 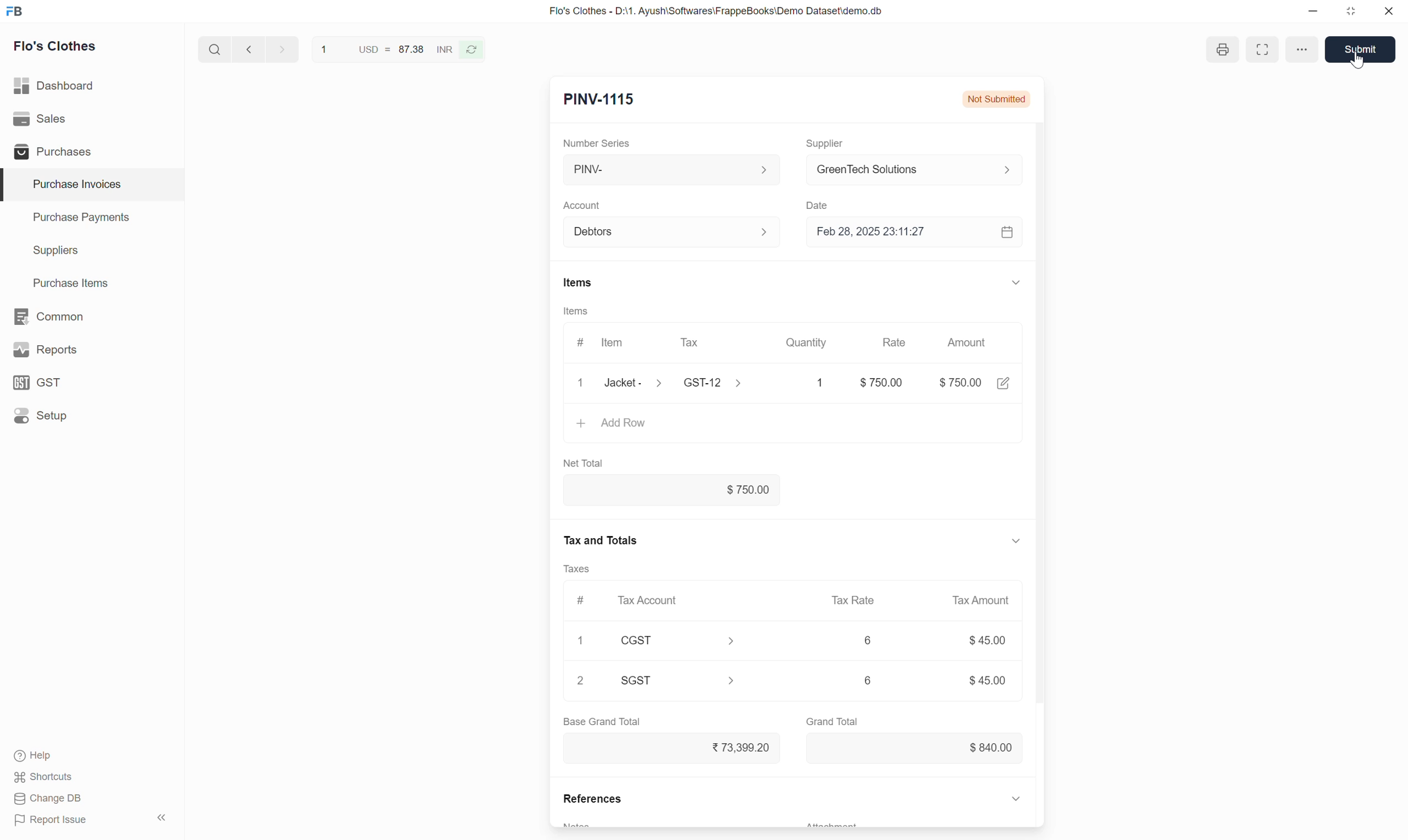 What do you see at coordinates (599, 541) in the screenshot?
I see `Tax and Totals` at bounding box center [599, 541].